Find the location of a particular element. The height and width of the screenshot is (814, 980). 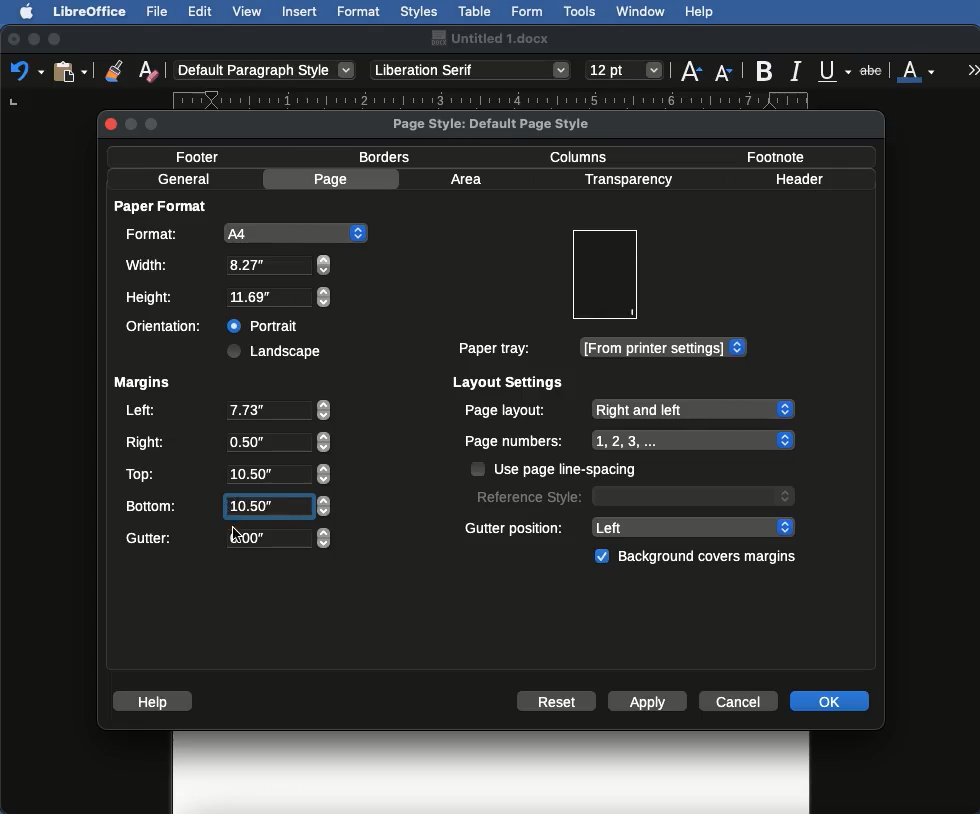

Header is located at coordinates (799, 179).